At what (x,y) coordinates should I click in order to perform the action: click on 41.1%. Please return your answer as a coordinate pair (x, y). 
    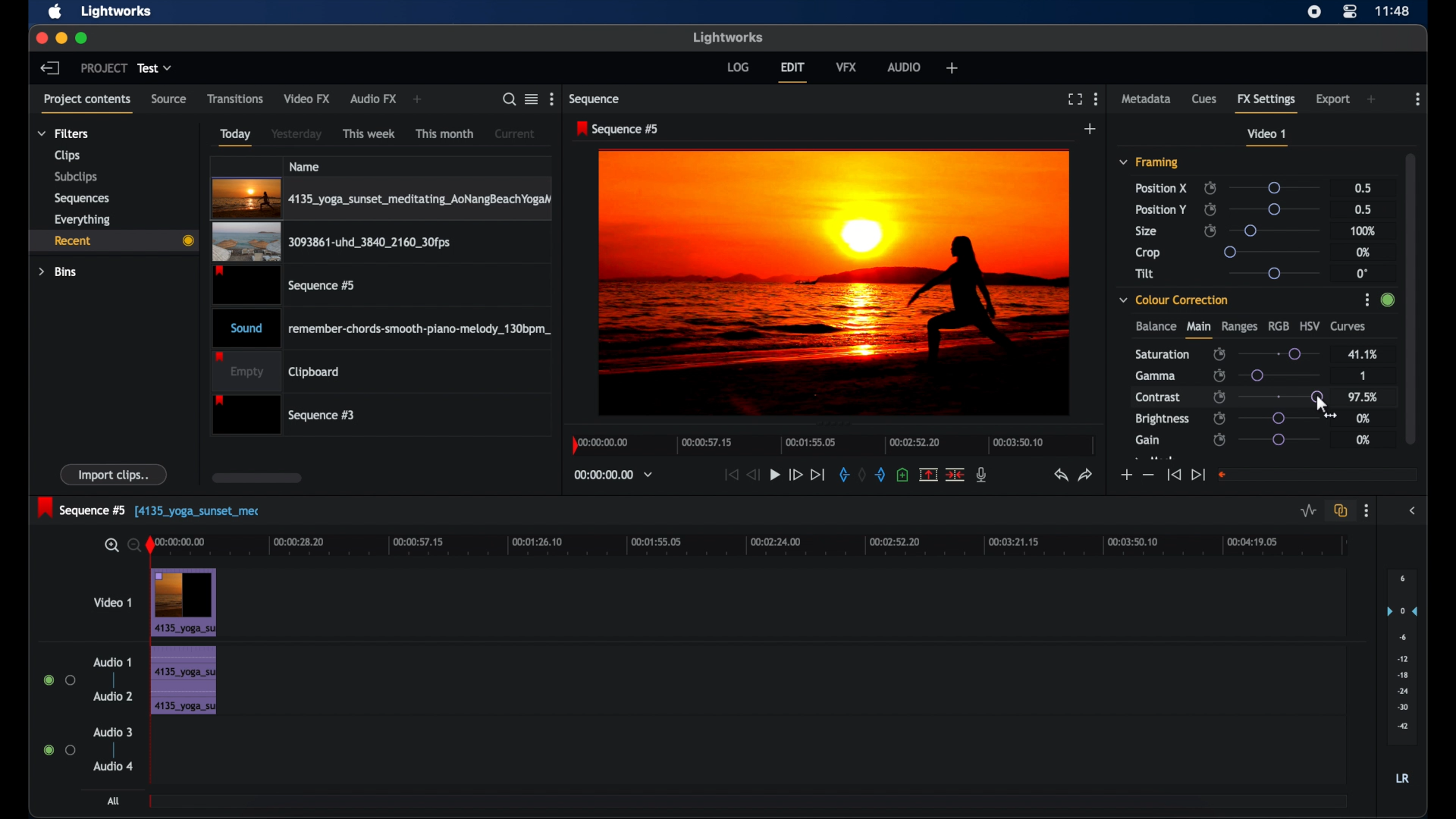
    Looking at the image, I should click on (1362, 353).